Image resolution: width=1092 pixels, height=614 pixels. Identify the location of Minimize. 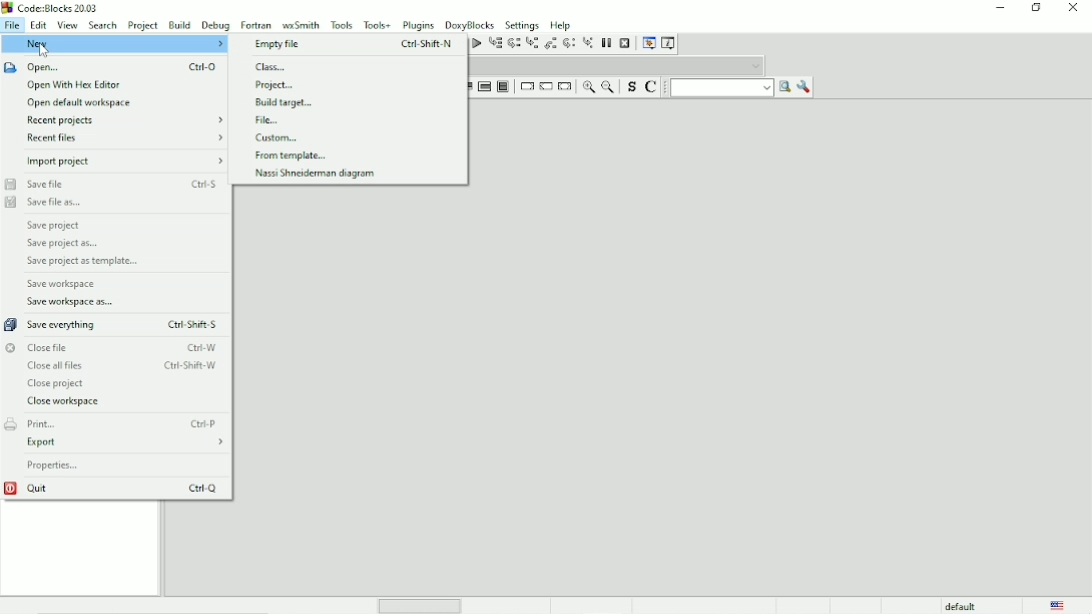
(1000, 8).